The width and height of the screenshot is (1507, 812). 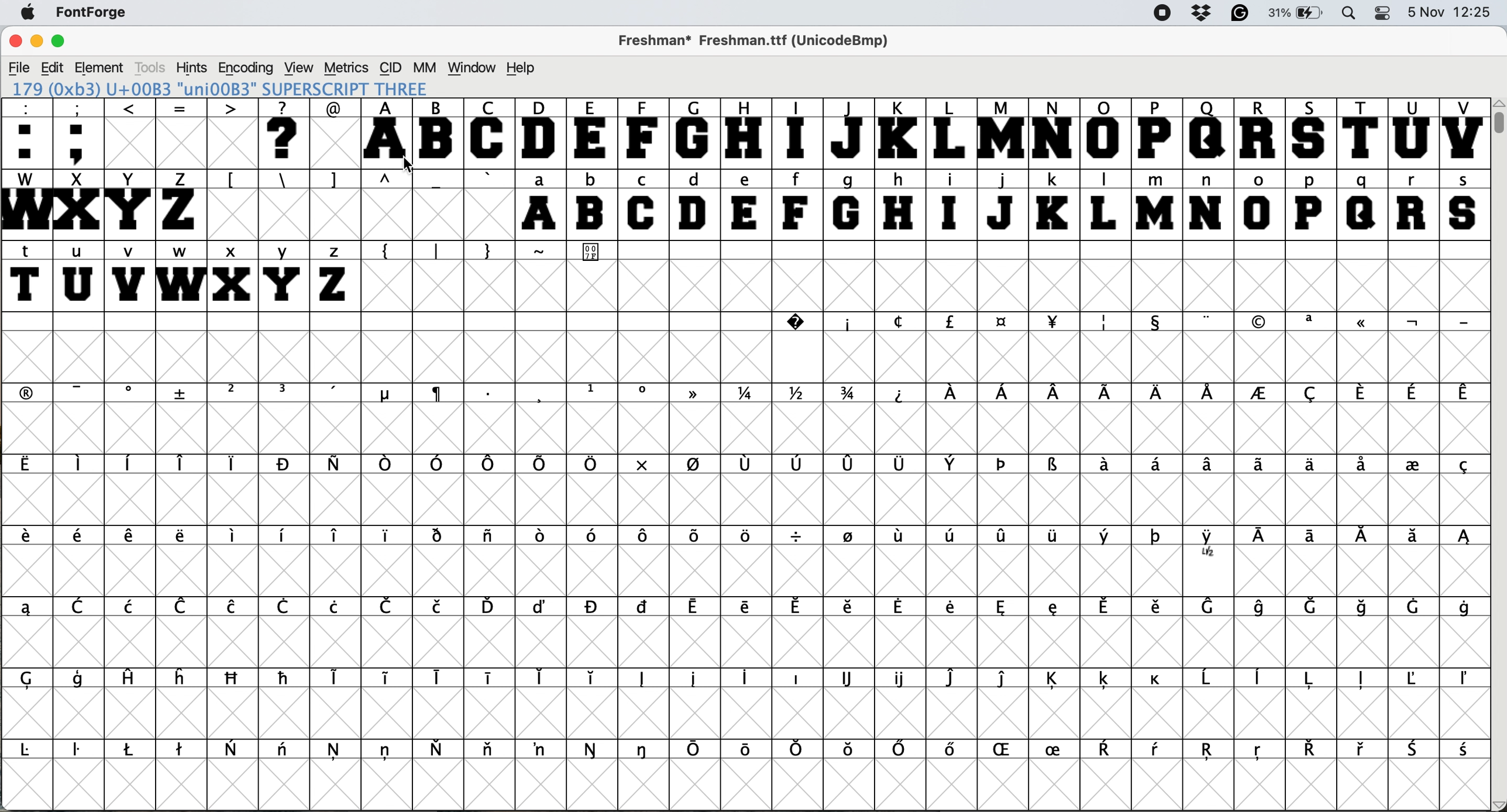 I want to click on symbol, so click(x=902, y=677).